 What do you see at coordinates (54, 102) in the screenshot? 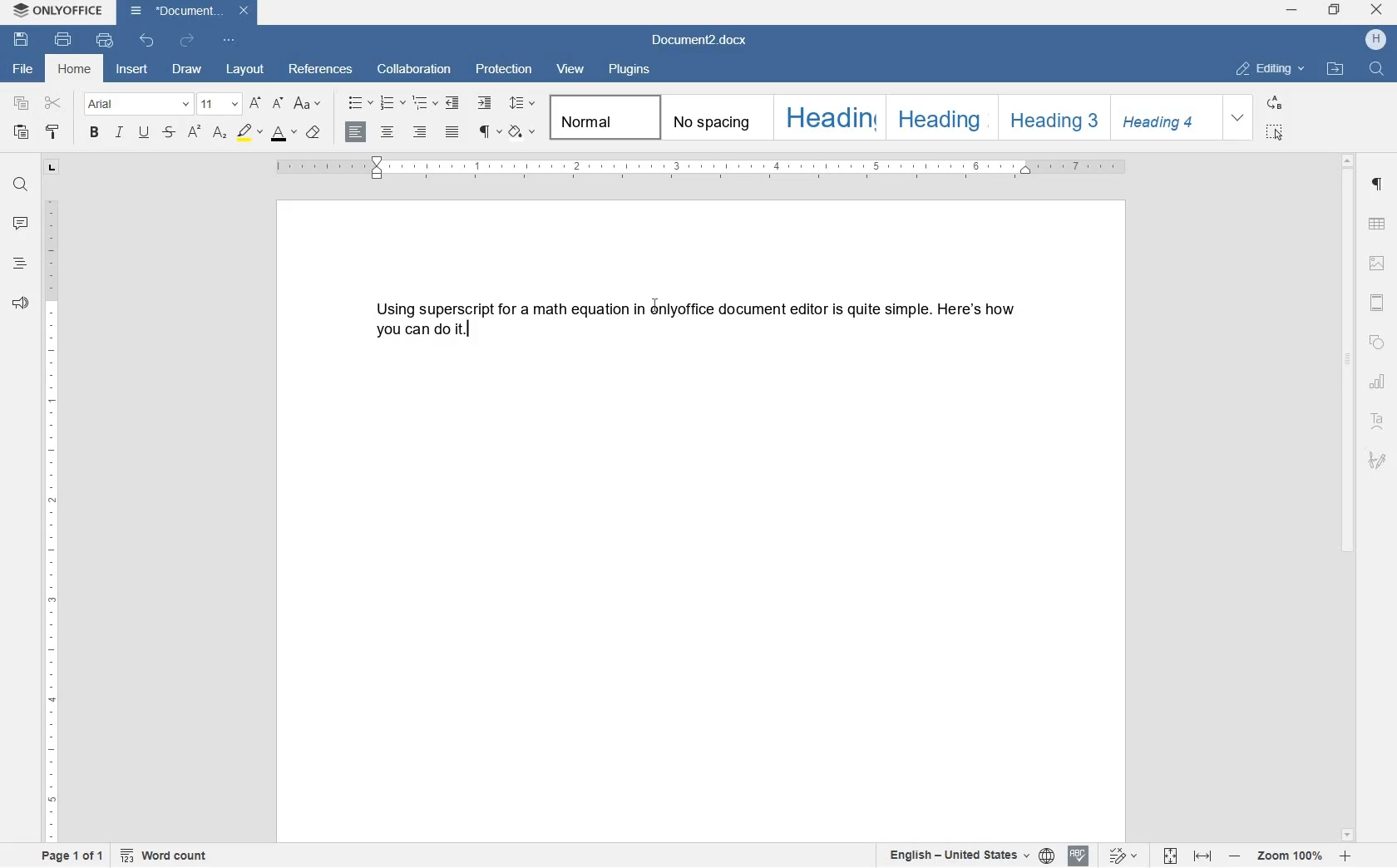
I see `cut` at bounding box center [54, 102].